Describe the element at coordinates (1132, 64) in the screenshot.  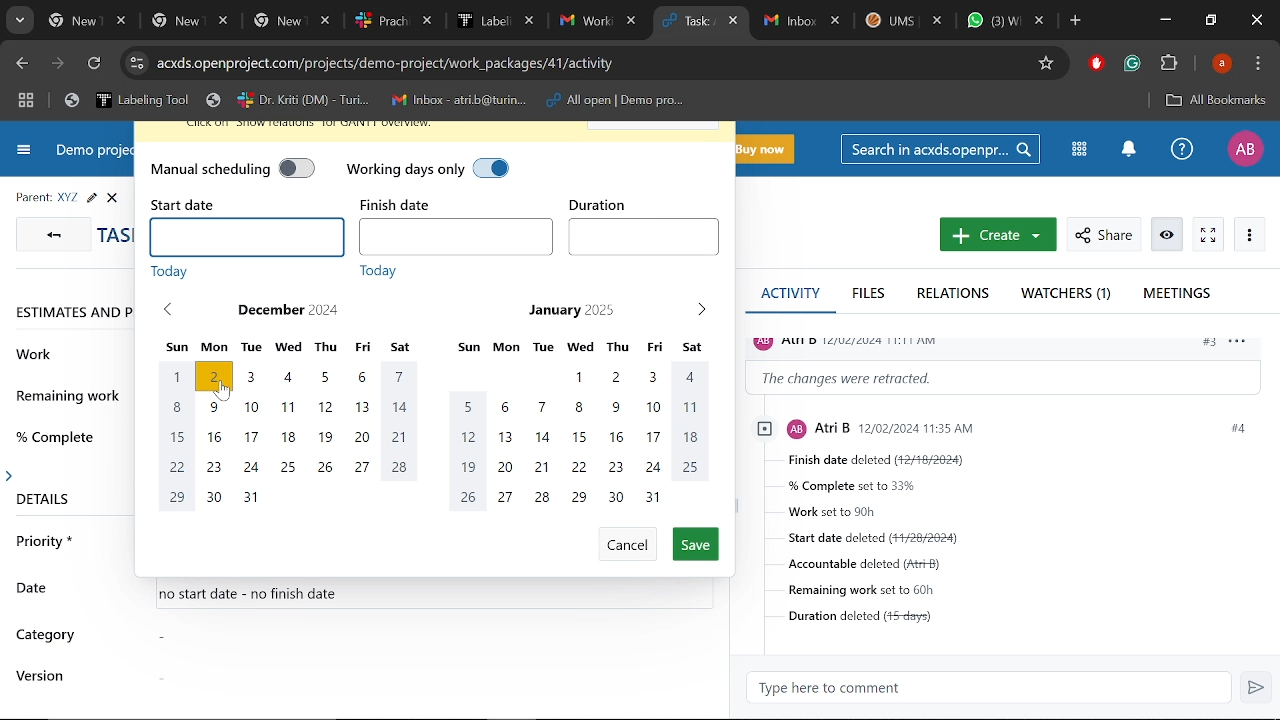
I see `Grammerly` at that location.